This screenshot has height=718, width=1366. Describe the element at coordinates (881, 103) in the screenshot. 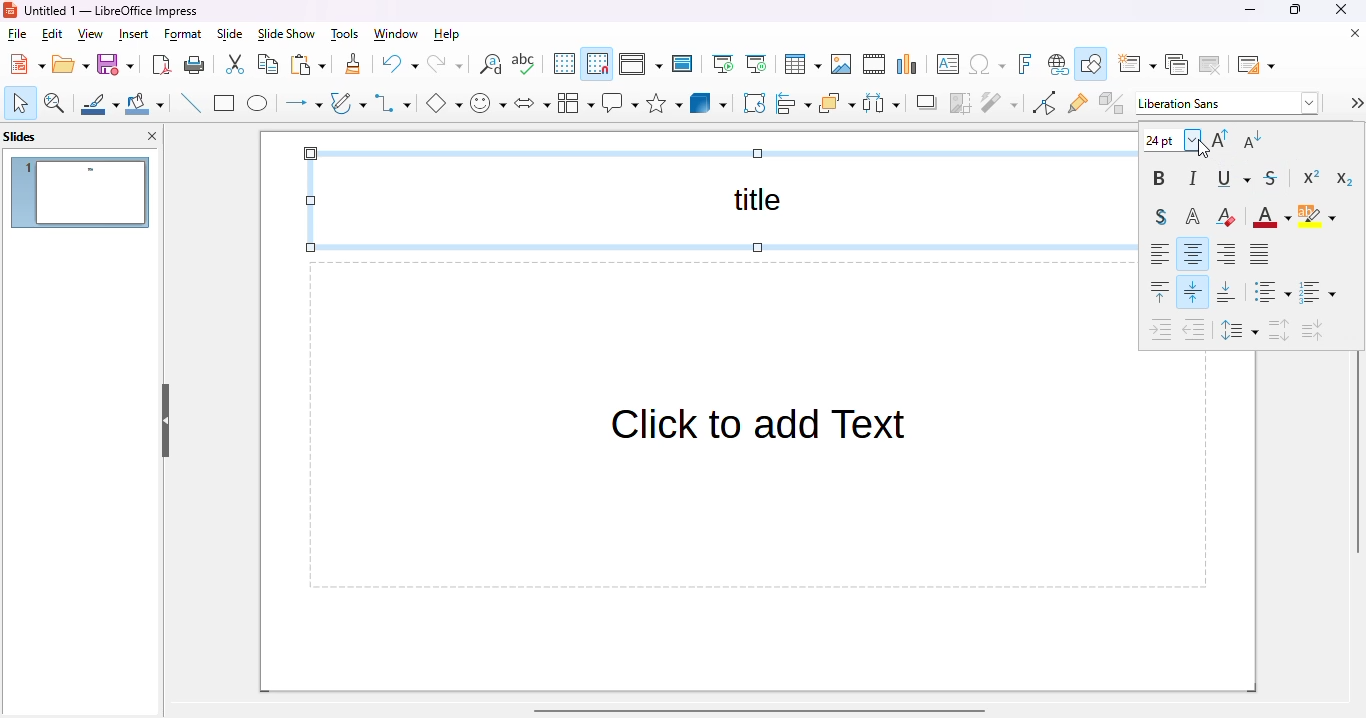

I see `select at least three objects to distribute` at that location.